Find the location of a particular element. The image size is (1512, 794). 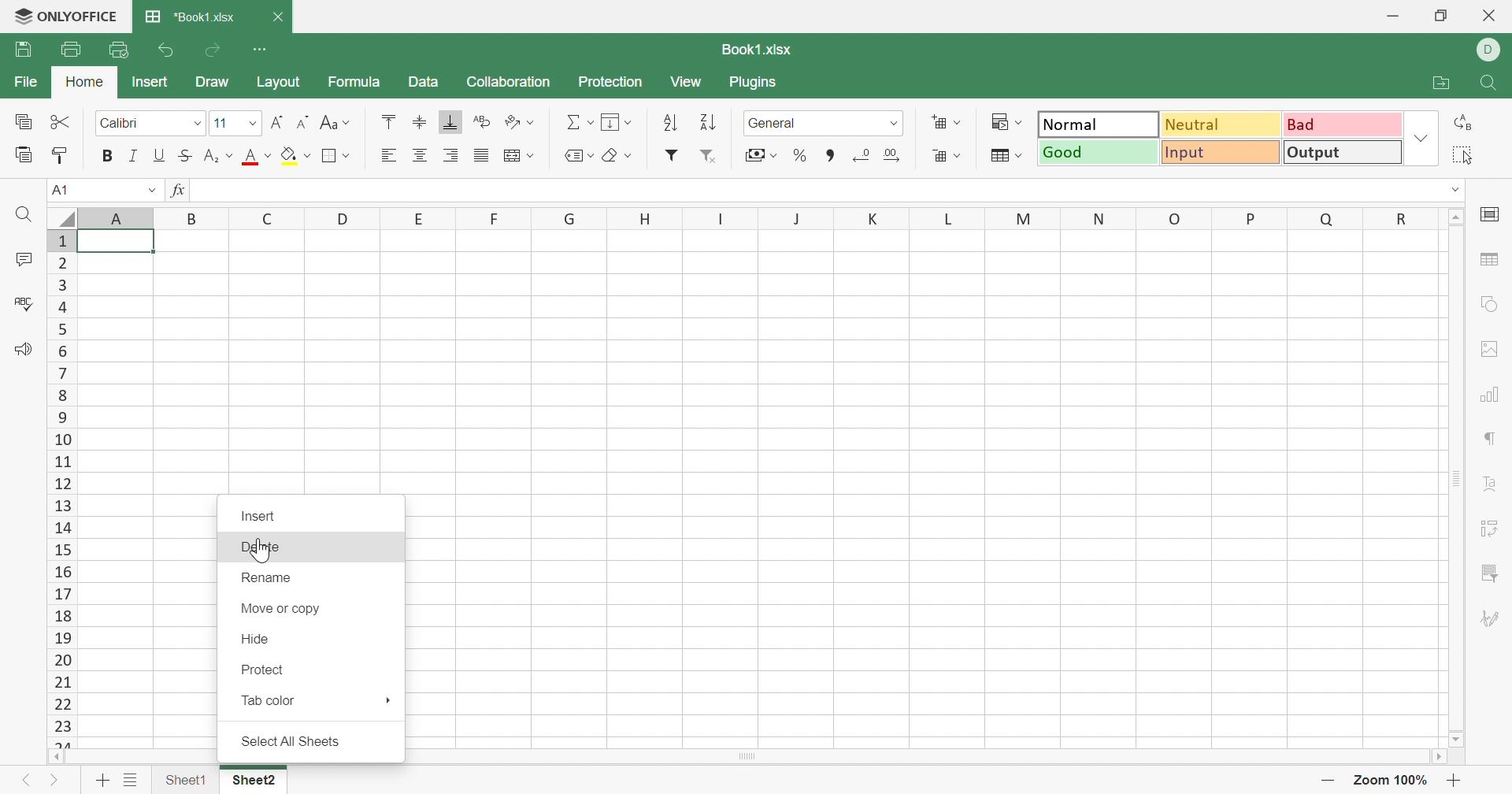

Drop Down is located at coordinates (201, 123).